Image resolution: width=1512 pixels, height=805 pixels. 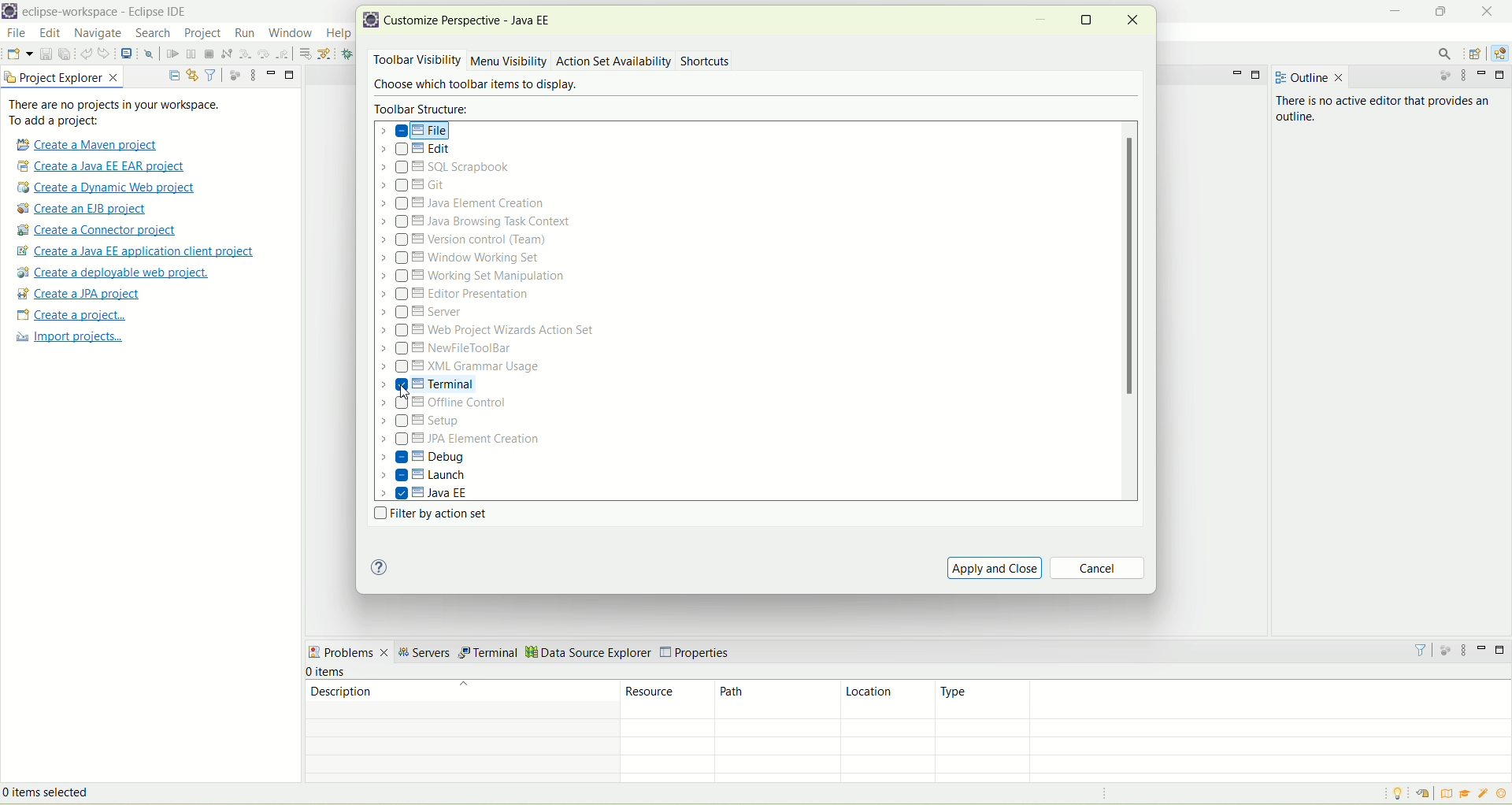 I want to click on collapse all, so click(x=174, y=72).